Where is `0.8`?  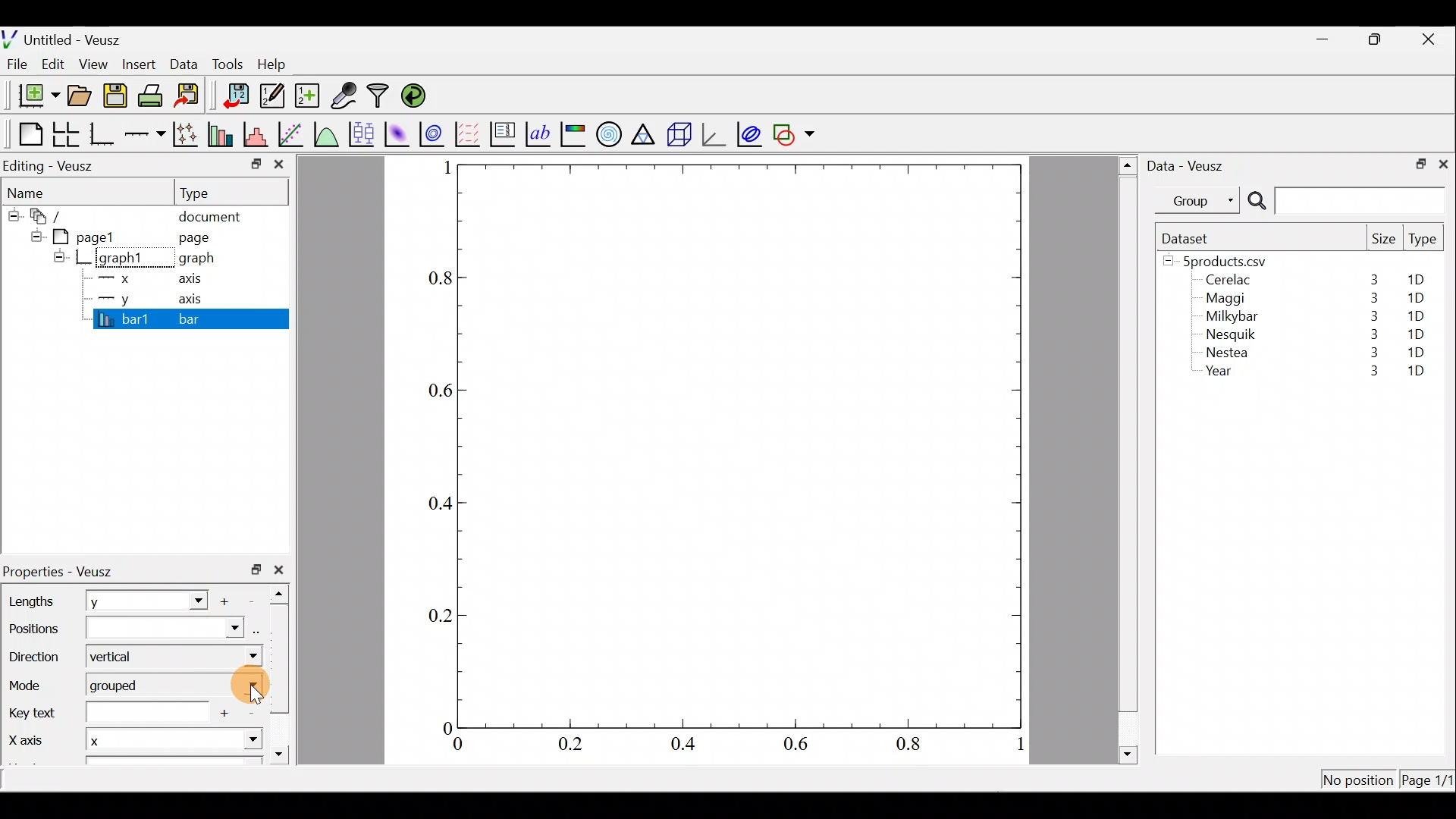 0.8 is located at coordinates (438, 279).